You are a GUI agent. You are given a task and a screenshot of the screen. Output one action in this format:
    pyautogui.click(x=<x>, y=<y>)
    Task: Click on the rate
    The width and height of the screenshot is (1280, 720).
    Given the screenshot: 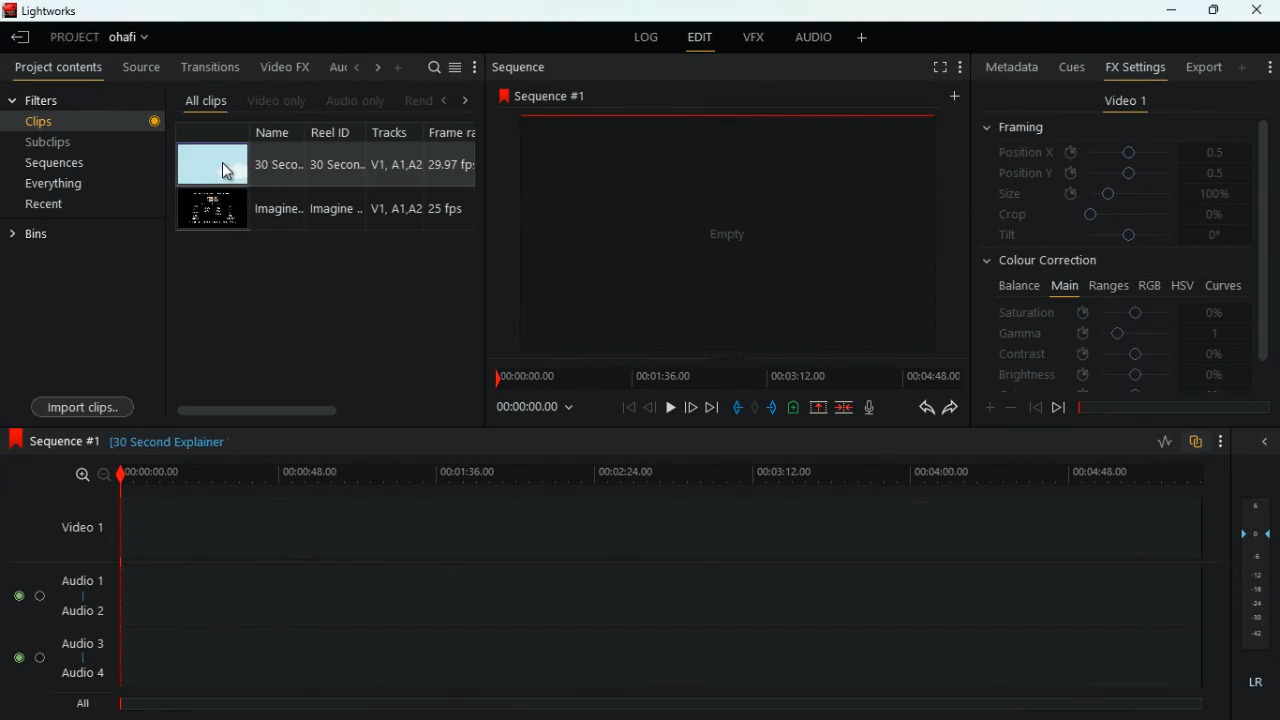 What is the action you would take?
    pyautogui.click(x=1161, y=444)
    